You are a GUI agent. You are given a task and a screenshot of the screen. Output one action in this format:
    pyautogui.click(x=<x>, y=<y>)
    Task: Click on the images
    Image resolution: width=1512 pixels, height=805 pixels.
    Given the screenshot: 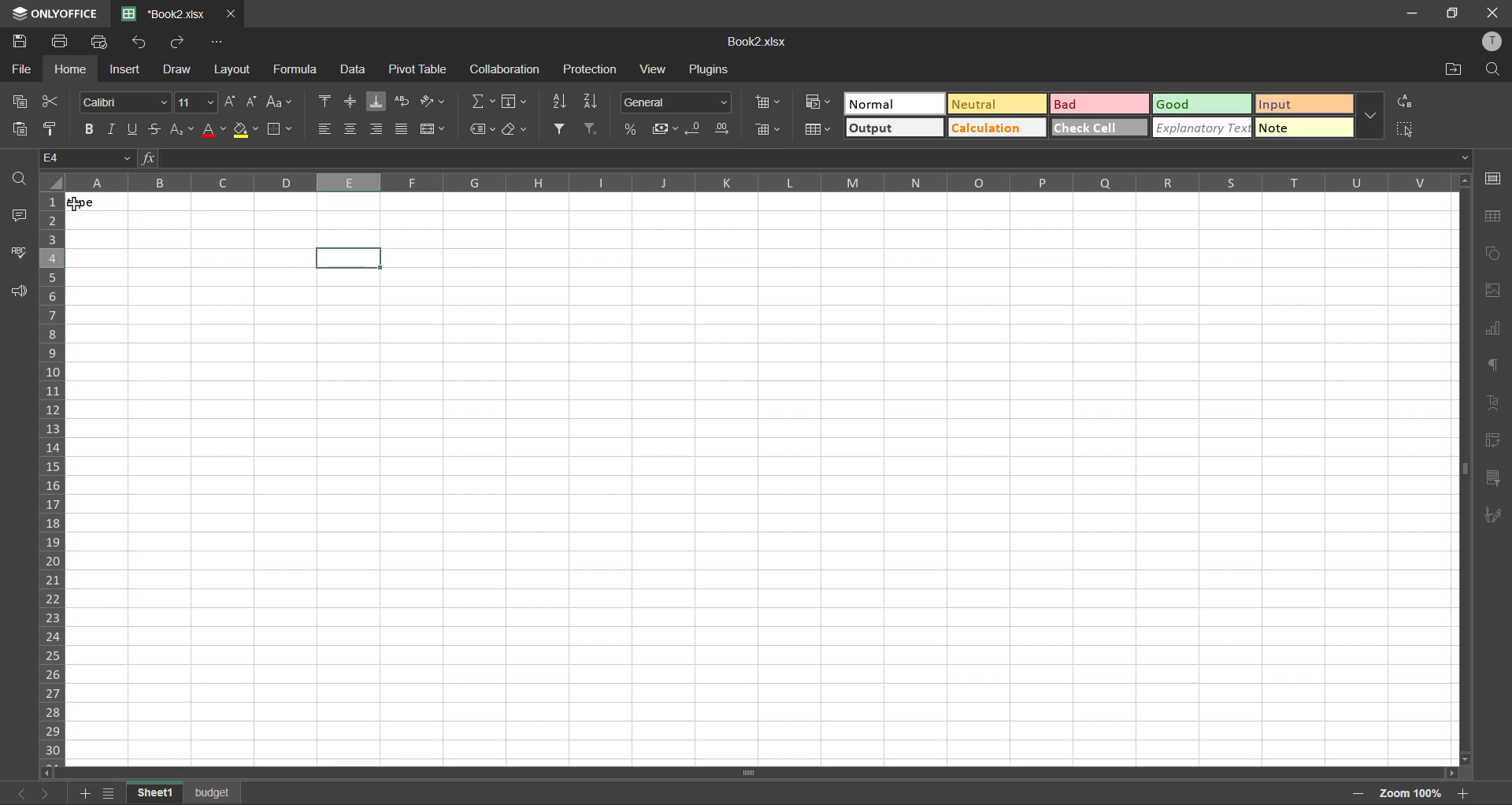 What is the action you would take?
    pyautogui.click(x=1492, y=292)
    